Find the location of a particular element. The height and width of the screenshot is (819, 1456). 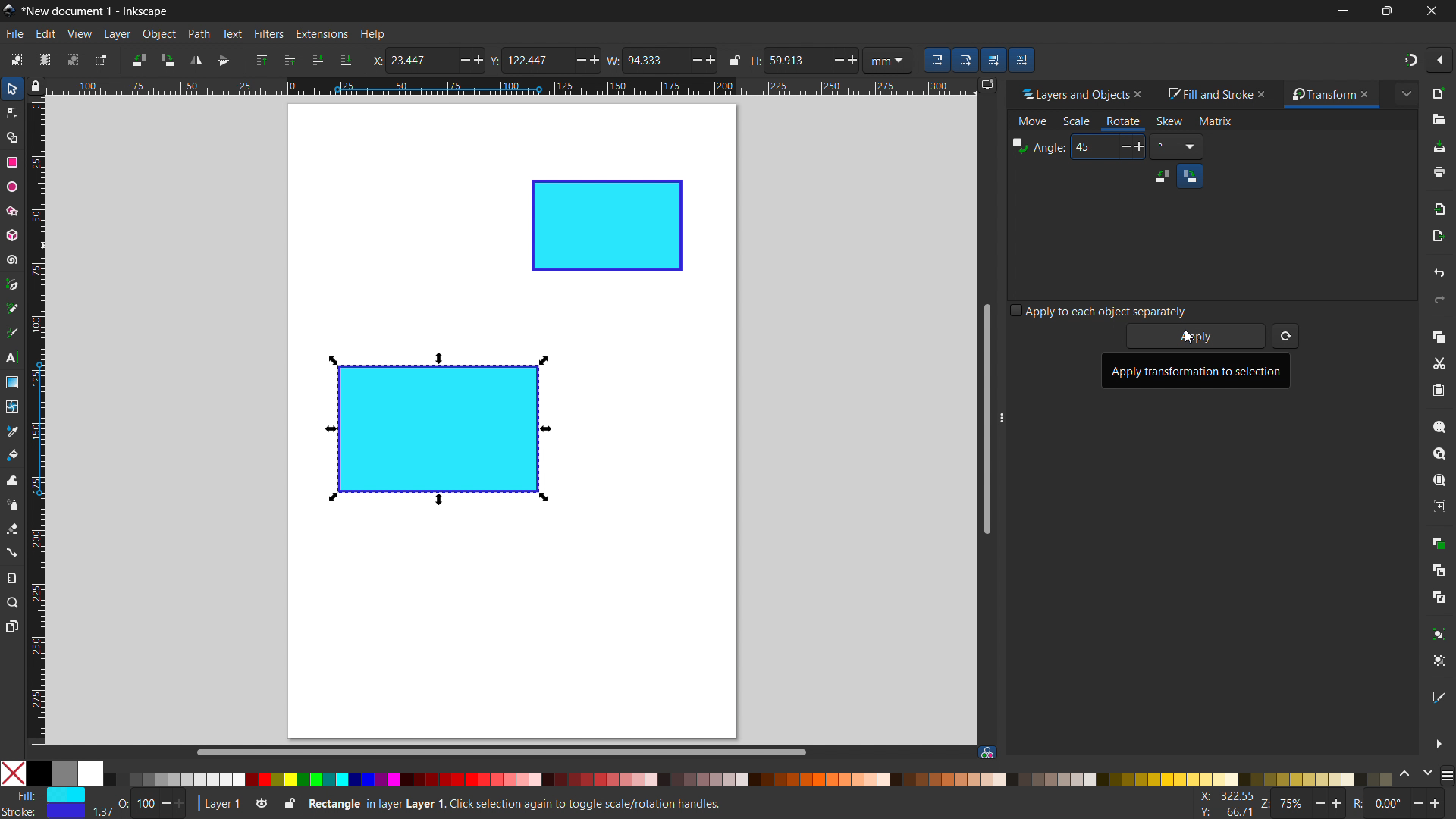

flip vertically is located at coordinates (224, 61).